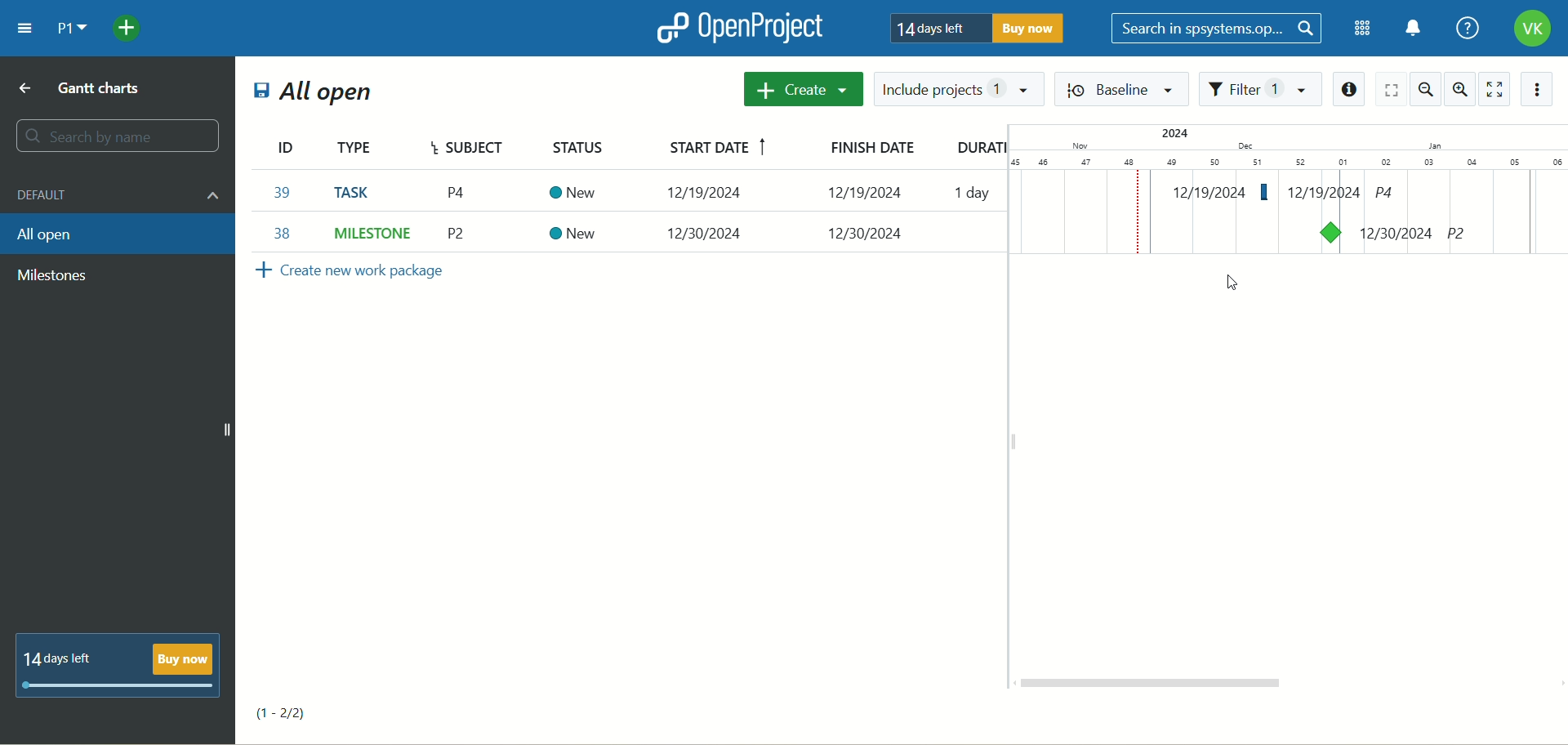  What do you see at coordinates (1207, 192) in the screenshot?
I see `12/19/2024` at bounding box center [1207, 192].